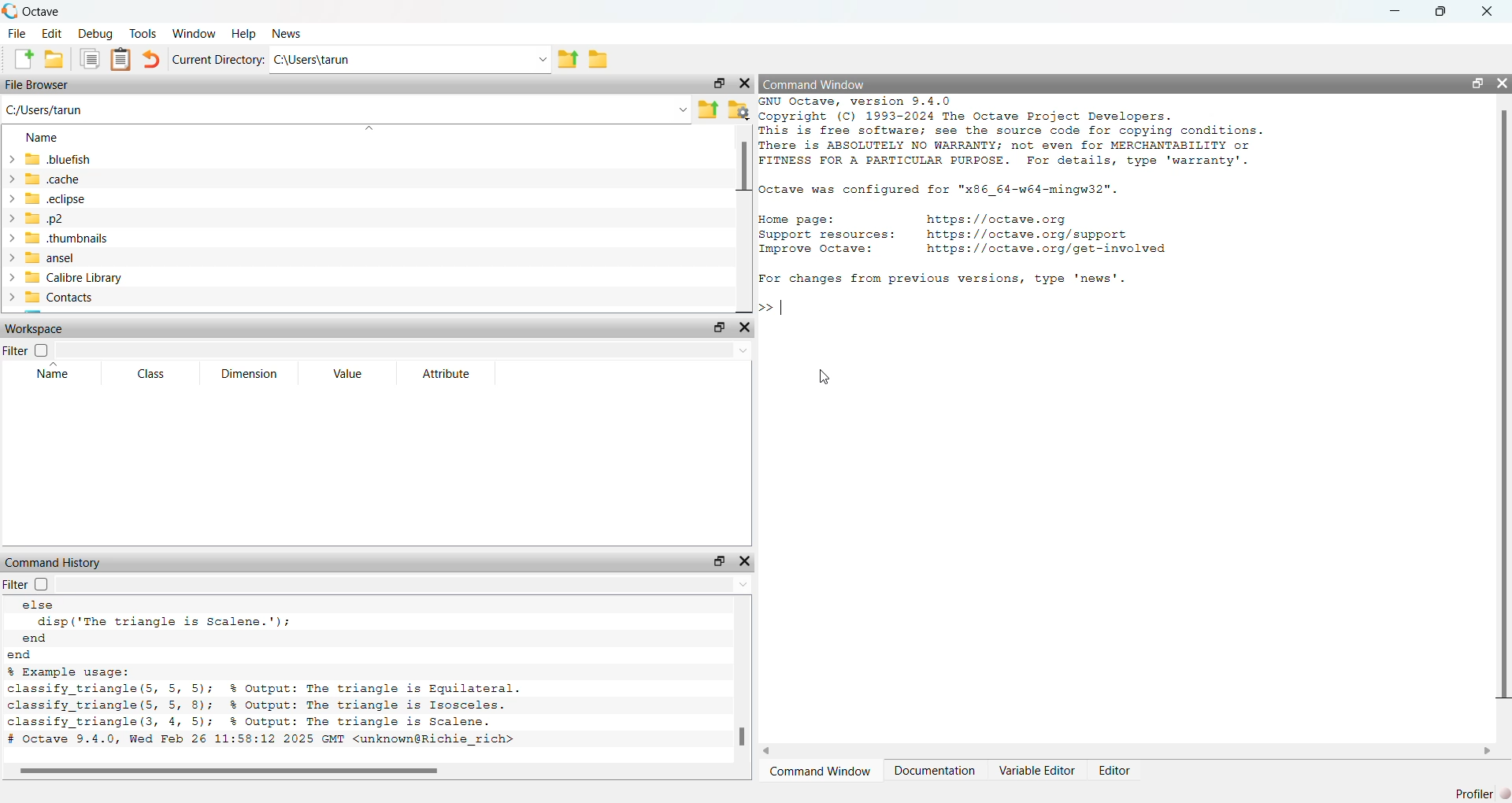  What do you see at coordinates (947, 280) in the screenshot?
I see `Fox changes from previous versions, type 'news'.` at bounding box center [947, 280].